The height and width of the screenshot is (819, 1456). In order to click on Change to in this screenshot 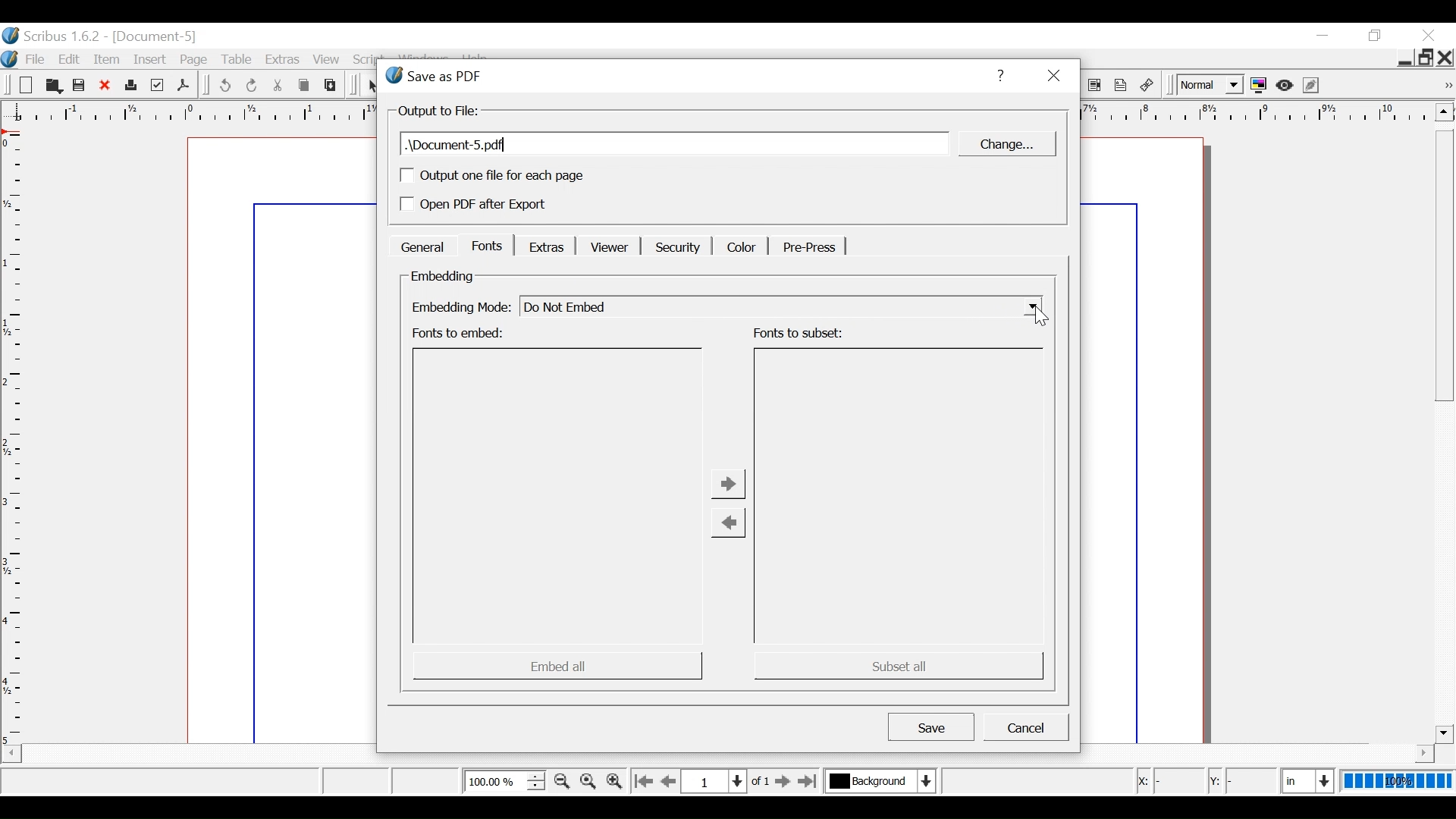, I will do `click(730, 483)`.